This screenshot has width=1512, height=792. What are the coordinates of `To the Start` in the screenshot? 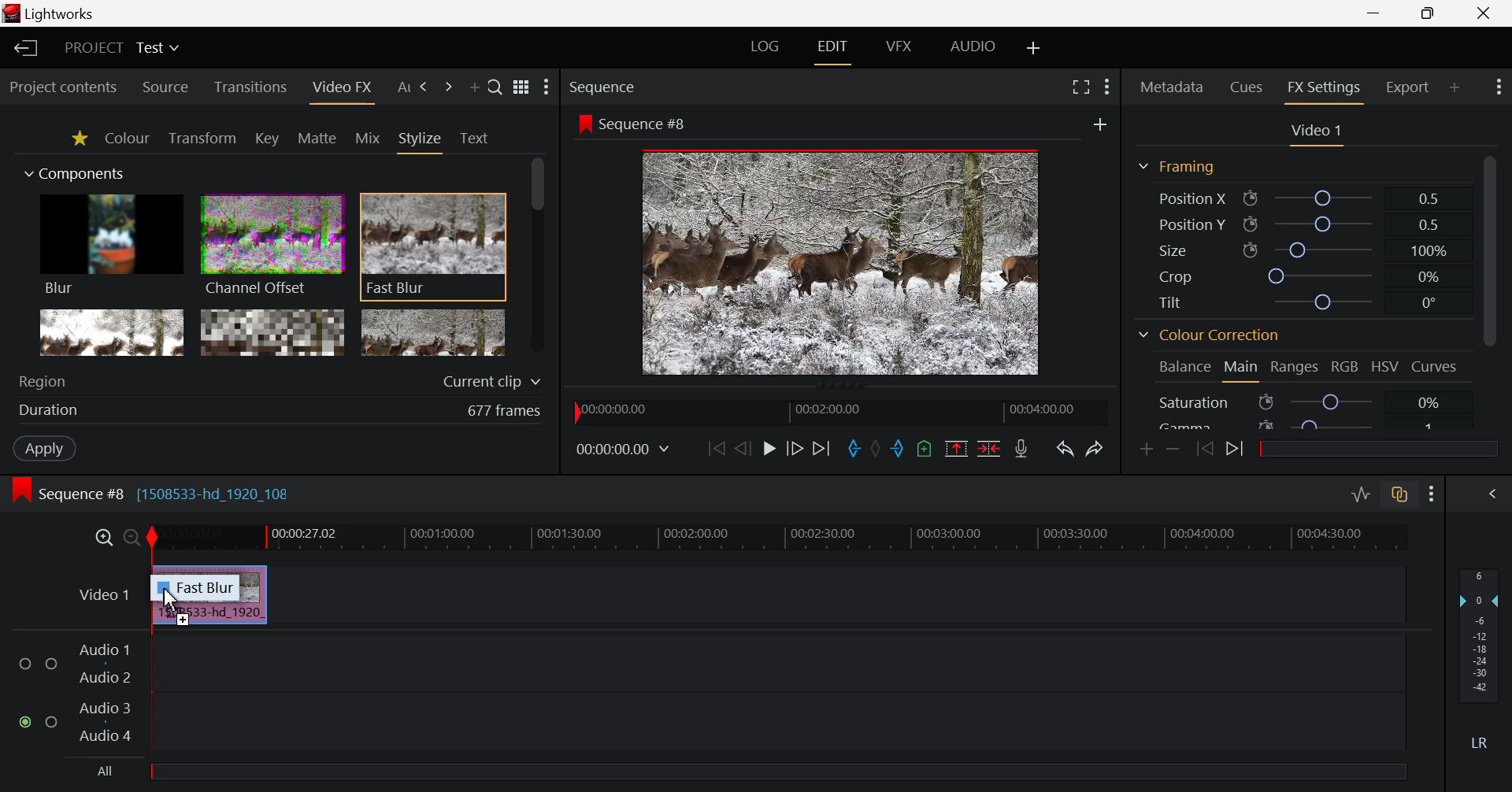 It's located at (715, 450).